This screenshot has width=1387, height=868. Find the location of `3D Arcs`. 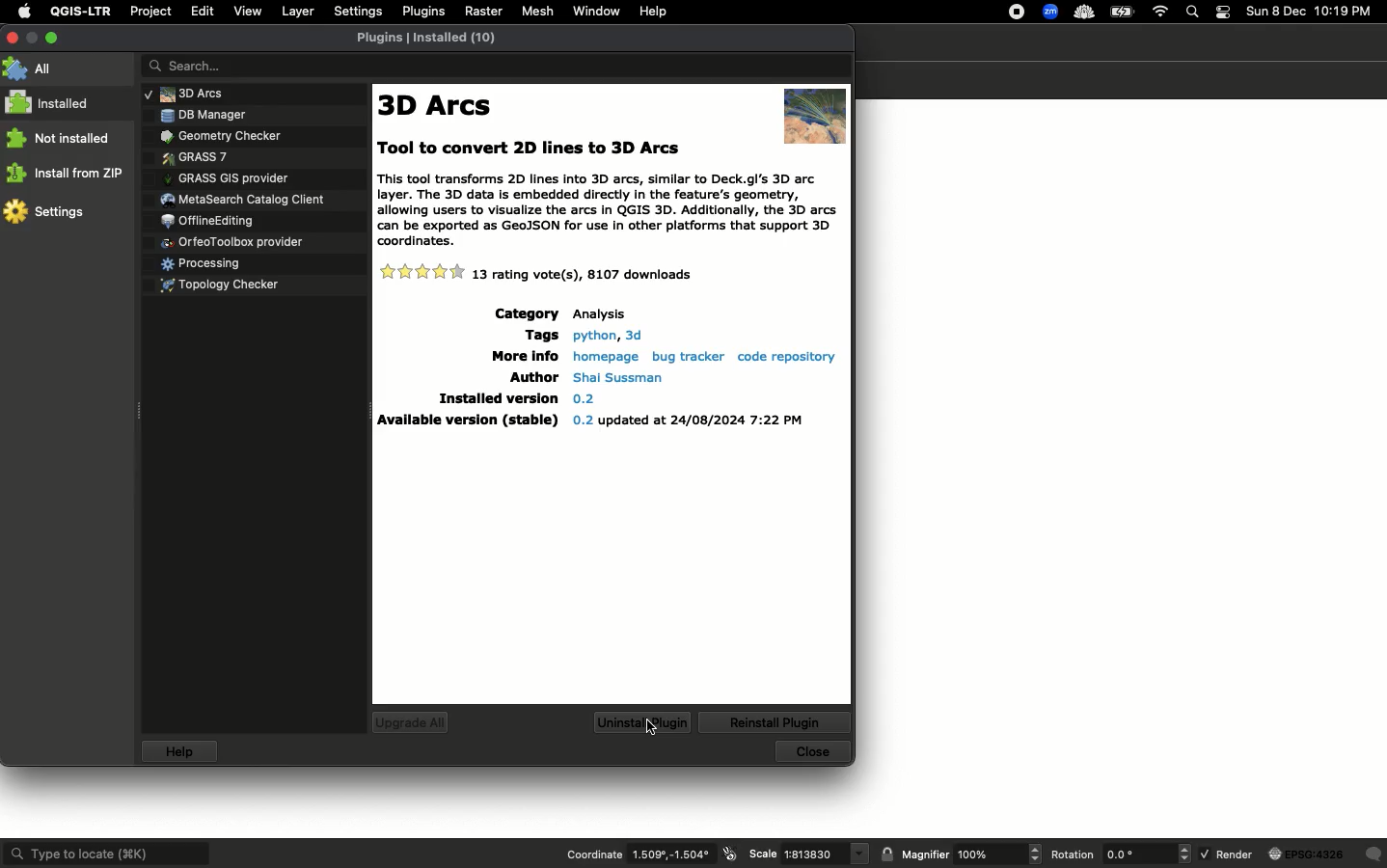

3D Arcs is located at coordinates (440, 104).